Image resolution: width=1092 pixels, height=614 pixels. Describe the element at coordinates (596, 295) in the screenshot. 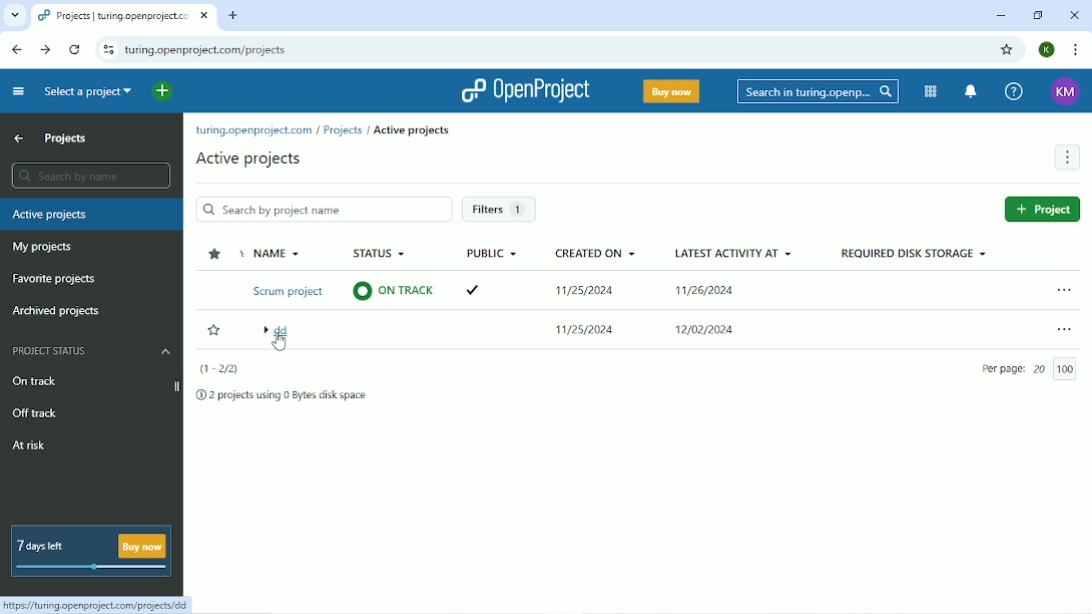

I see `Created on` at that location.